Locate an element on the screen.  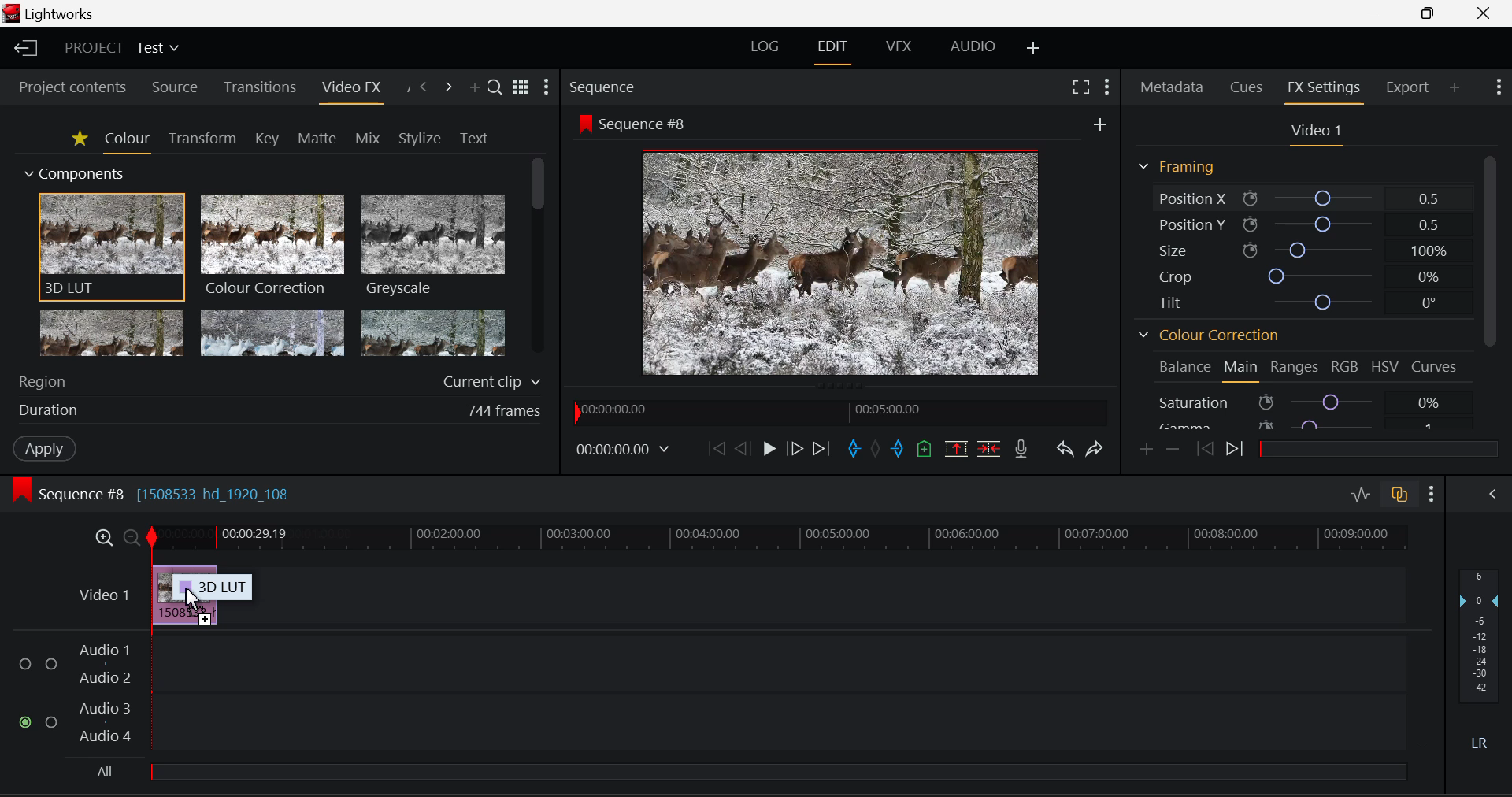
Audio 3 is located at coordinates (107, 708).